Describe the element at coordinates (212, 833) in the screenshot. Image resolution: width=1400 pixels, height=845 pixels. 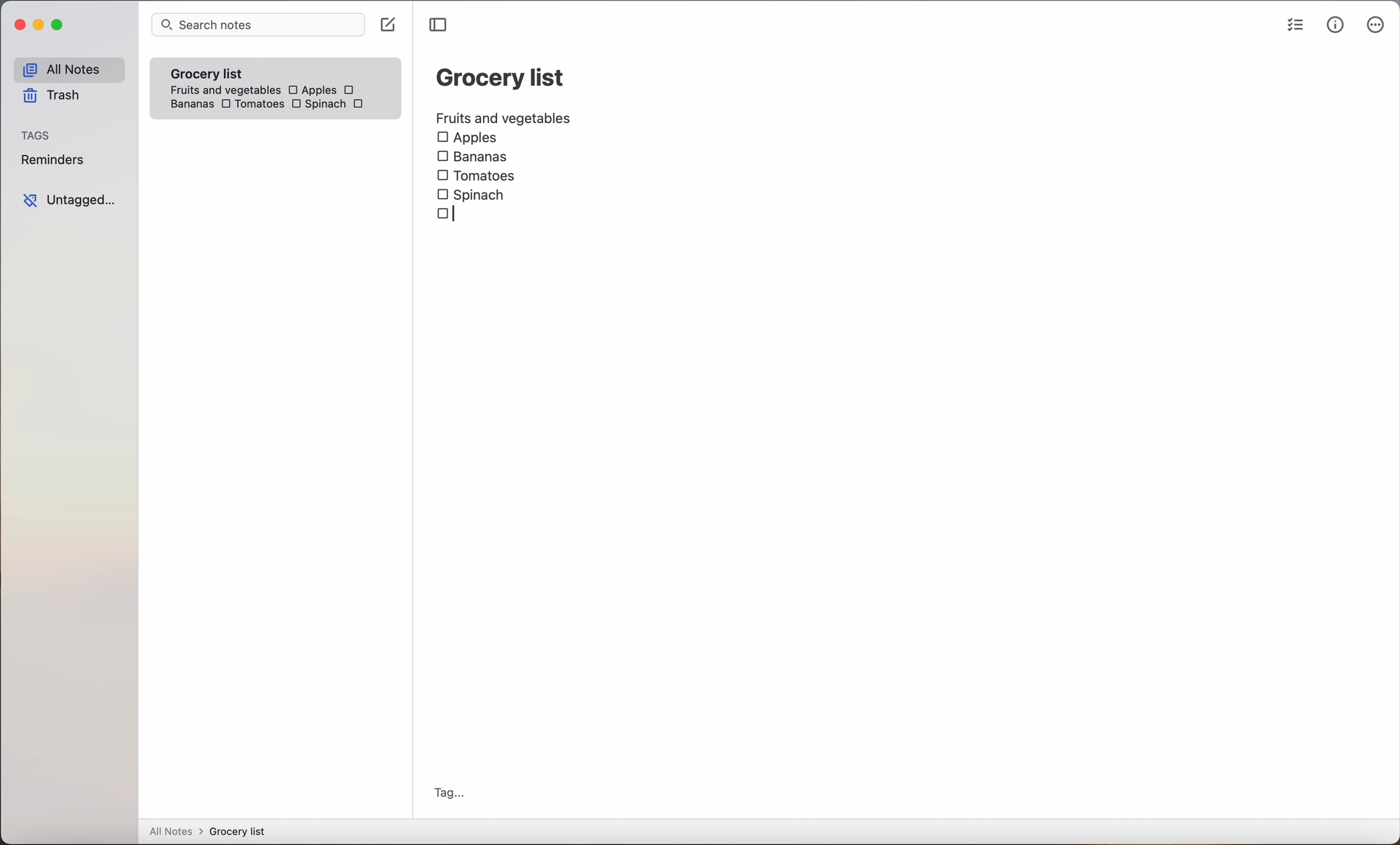
I see `all notes > grocery list` at that location.